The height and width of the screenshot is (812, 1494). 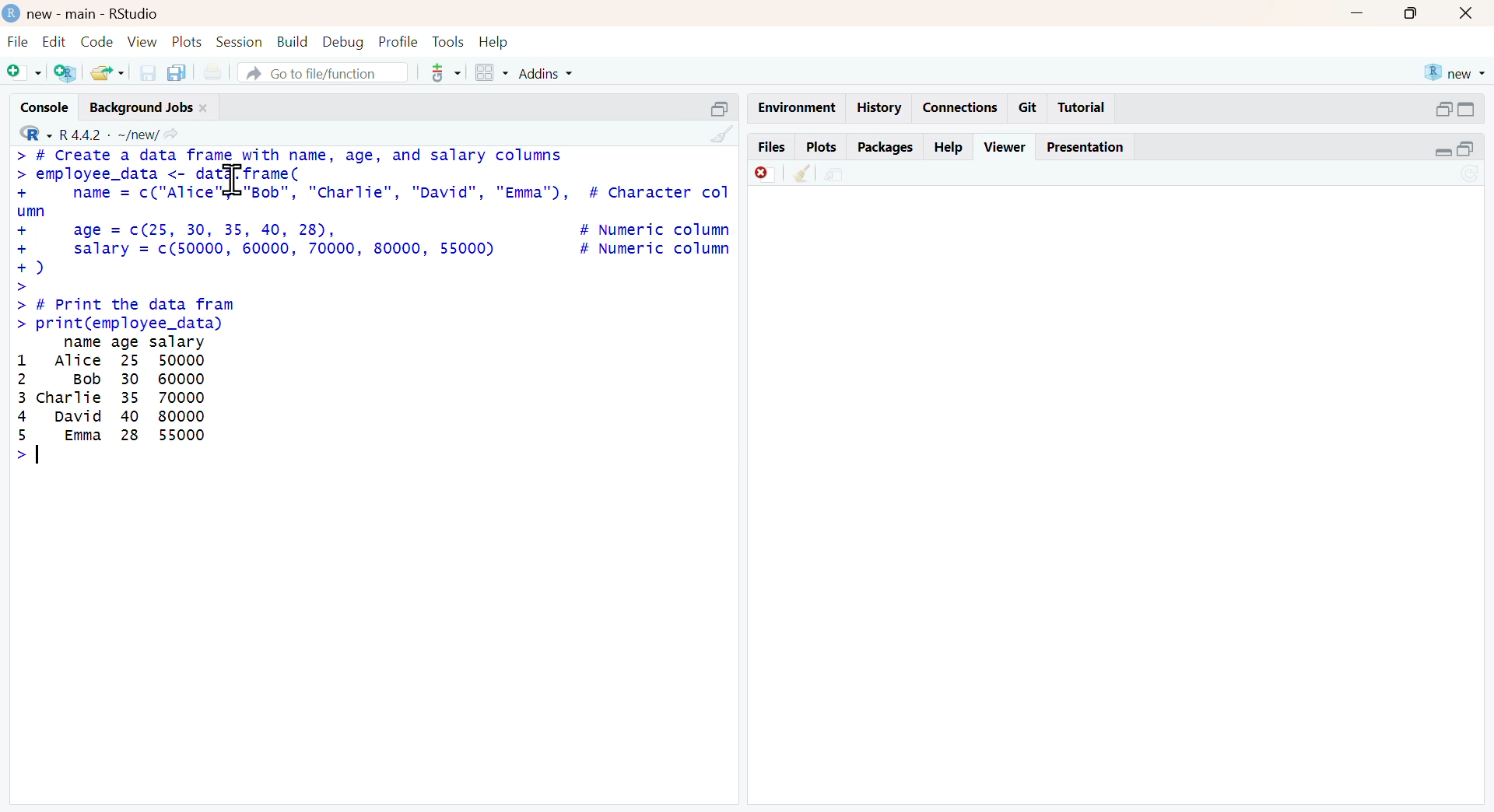 I want to click on Tools, so click(x=445, y=40).